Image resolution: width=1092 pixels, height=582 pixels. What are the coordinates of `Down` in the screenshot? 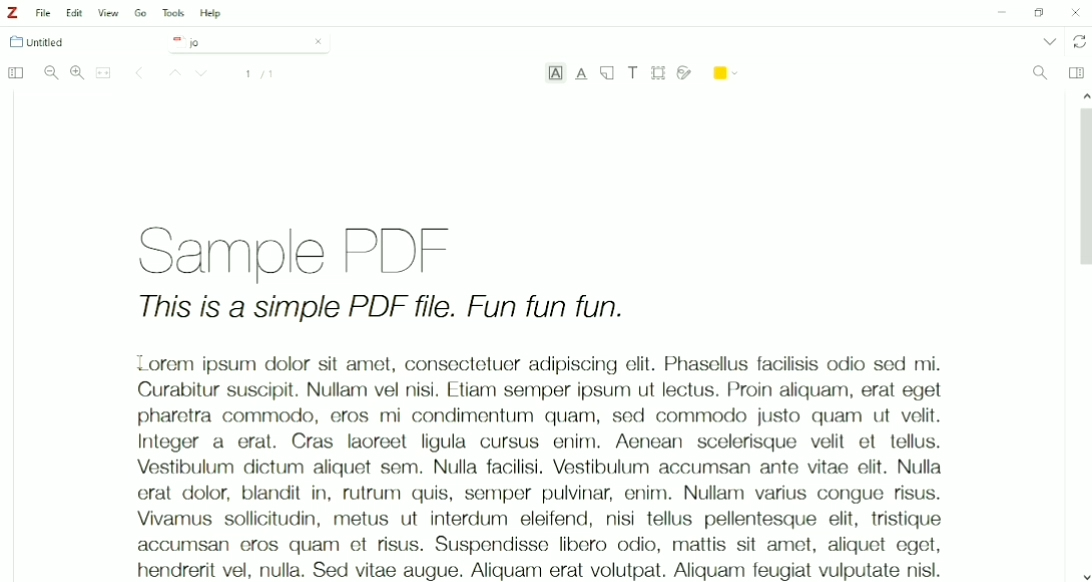 It's located at (1085, 575).